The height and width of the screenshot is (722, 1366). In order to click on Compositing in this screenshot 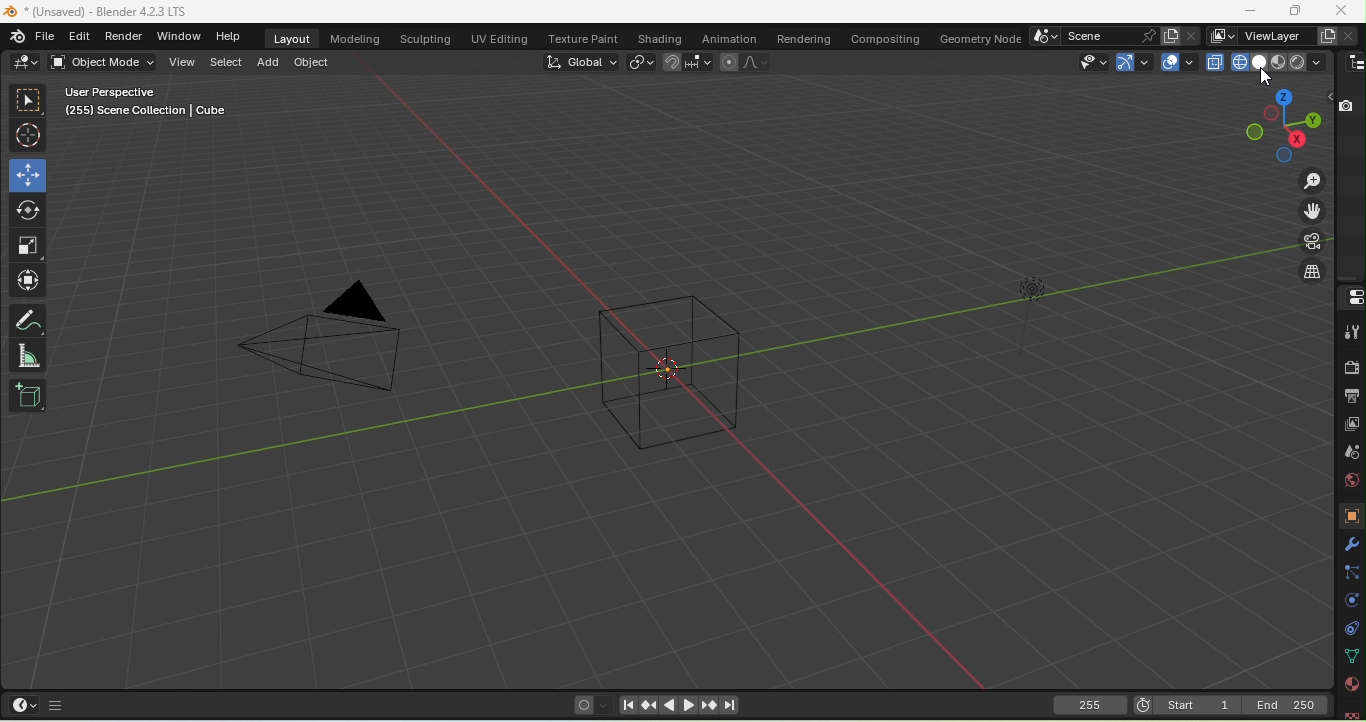, I will do `click(885, 38)`.